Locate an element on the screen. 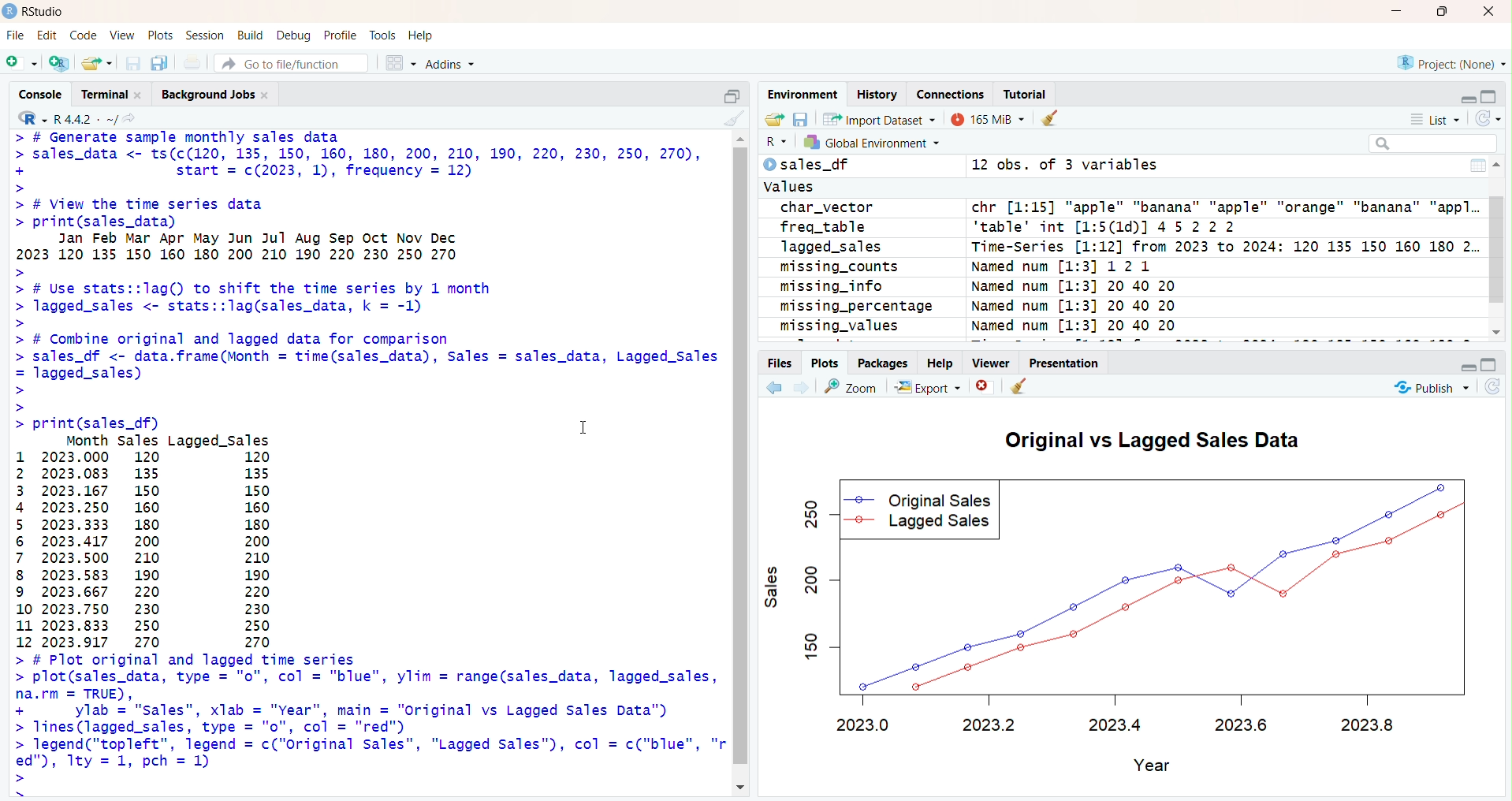  save workspace is located at coordinates (802, 119).